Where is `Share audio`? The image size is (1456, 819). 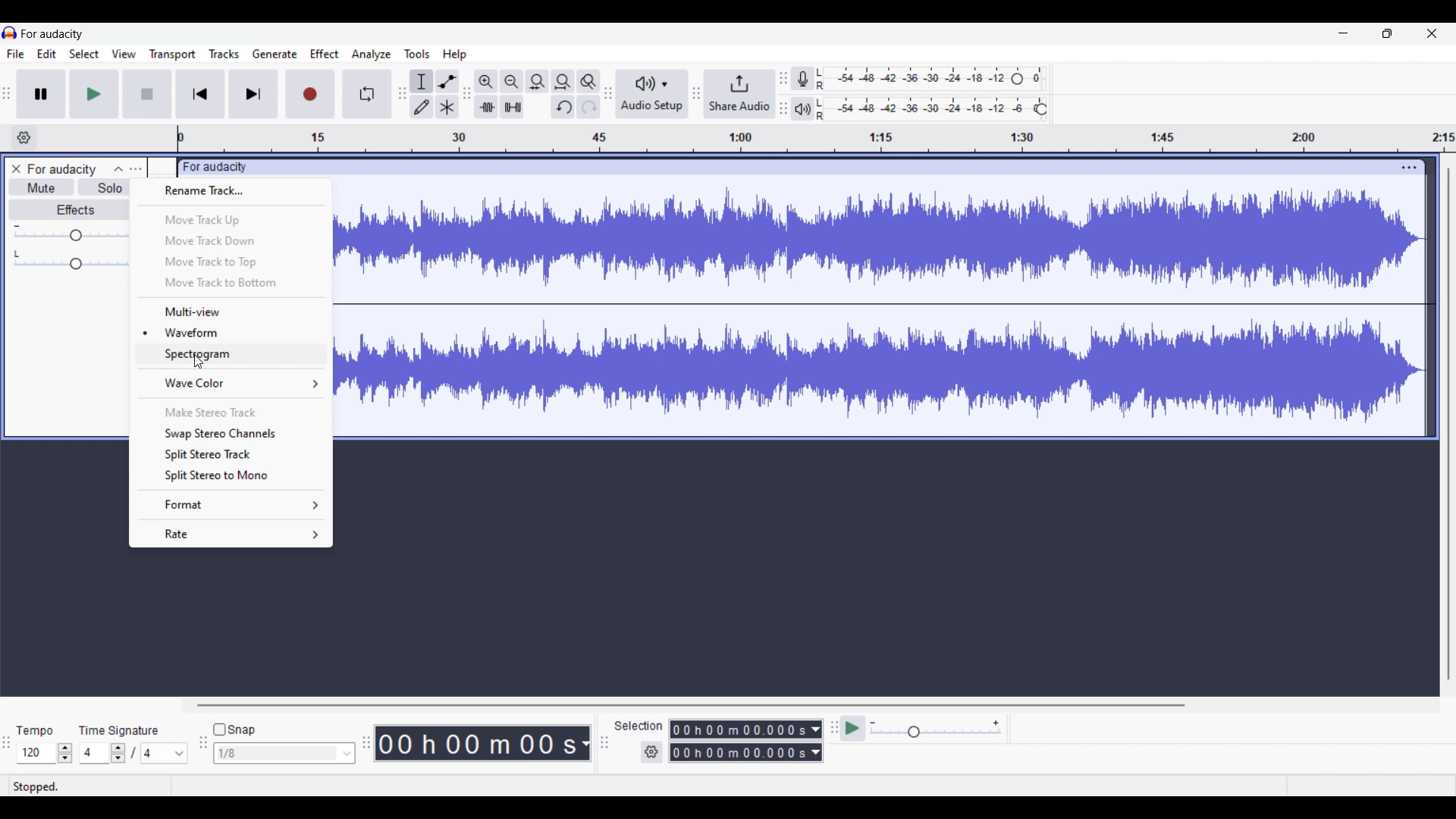 Share audio is located at coordinates (739, 93).